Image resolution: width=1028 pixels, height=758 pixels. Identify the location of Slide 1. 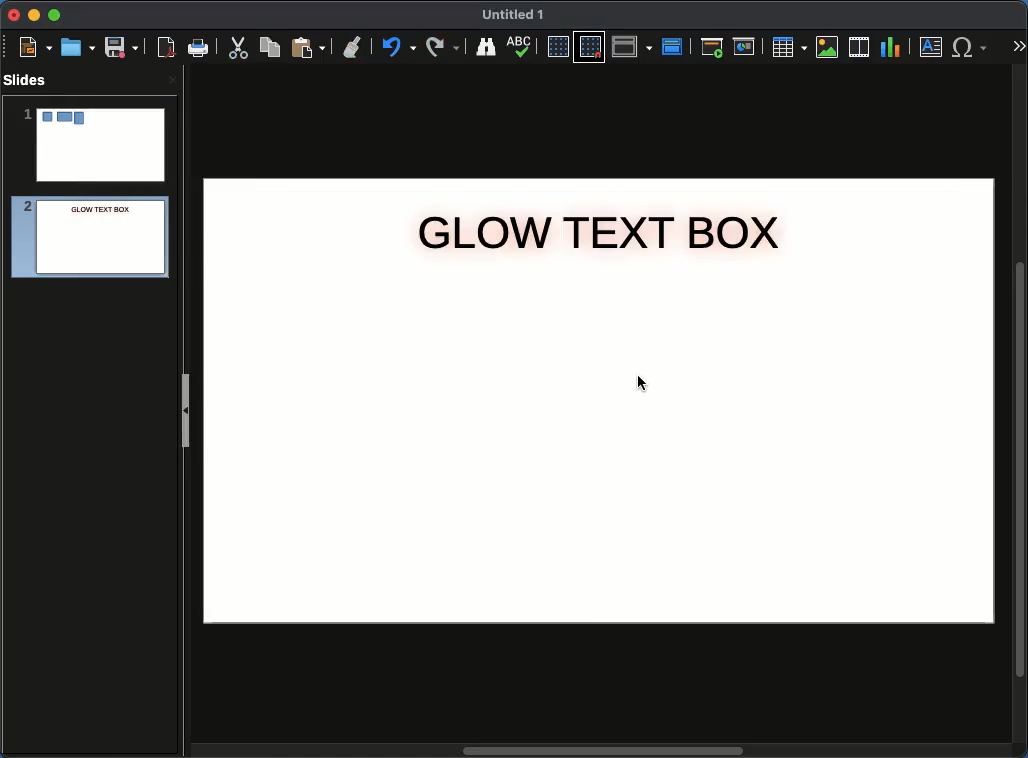
(93, 145).